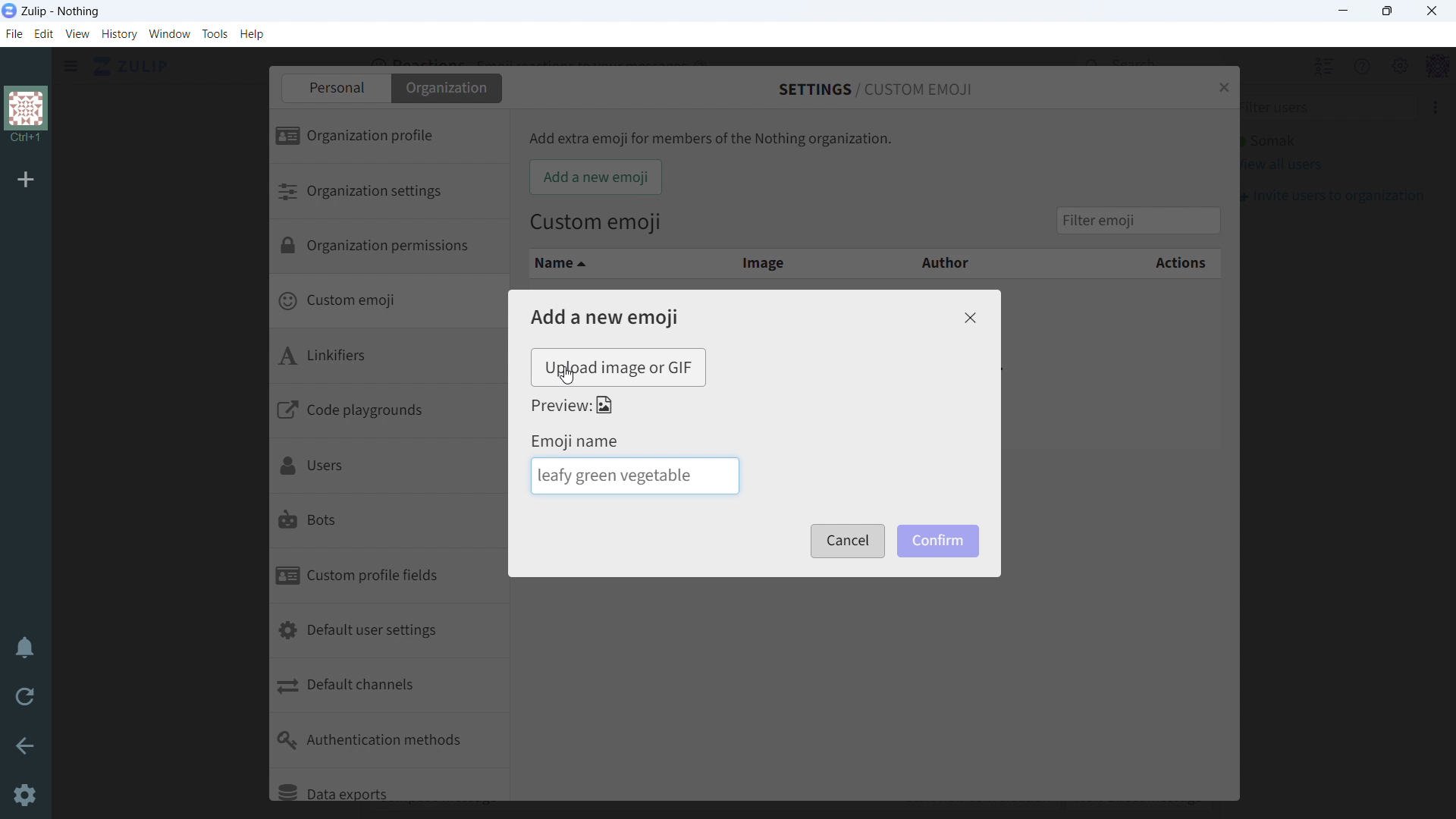  I want to click on settings/custom emoji, so click(877, 89).